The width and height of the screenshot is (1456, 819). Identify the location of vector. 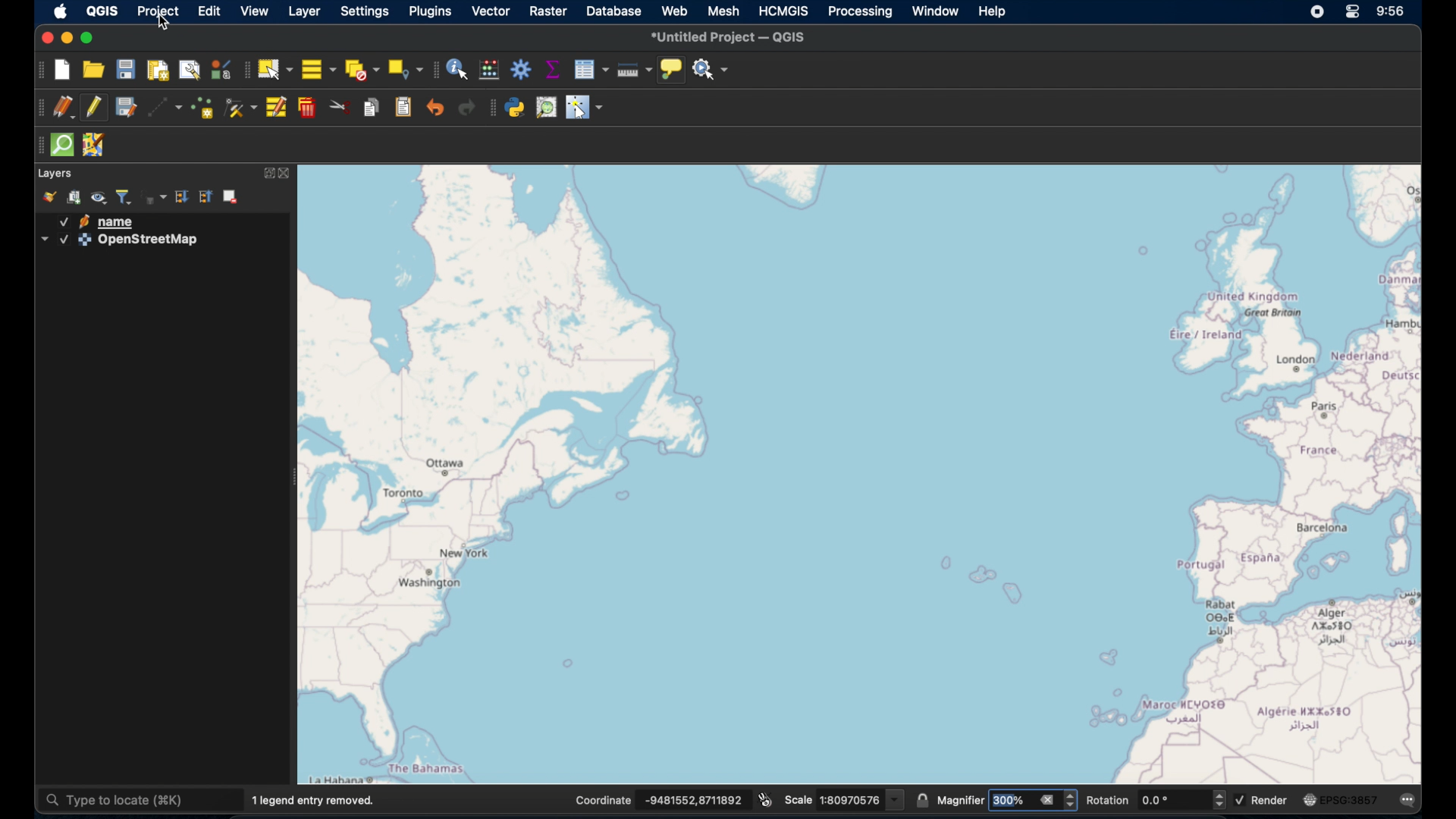
(491, 12).